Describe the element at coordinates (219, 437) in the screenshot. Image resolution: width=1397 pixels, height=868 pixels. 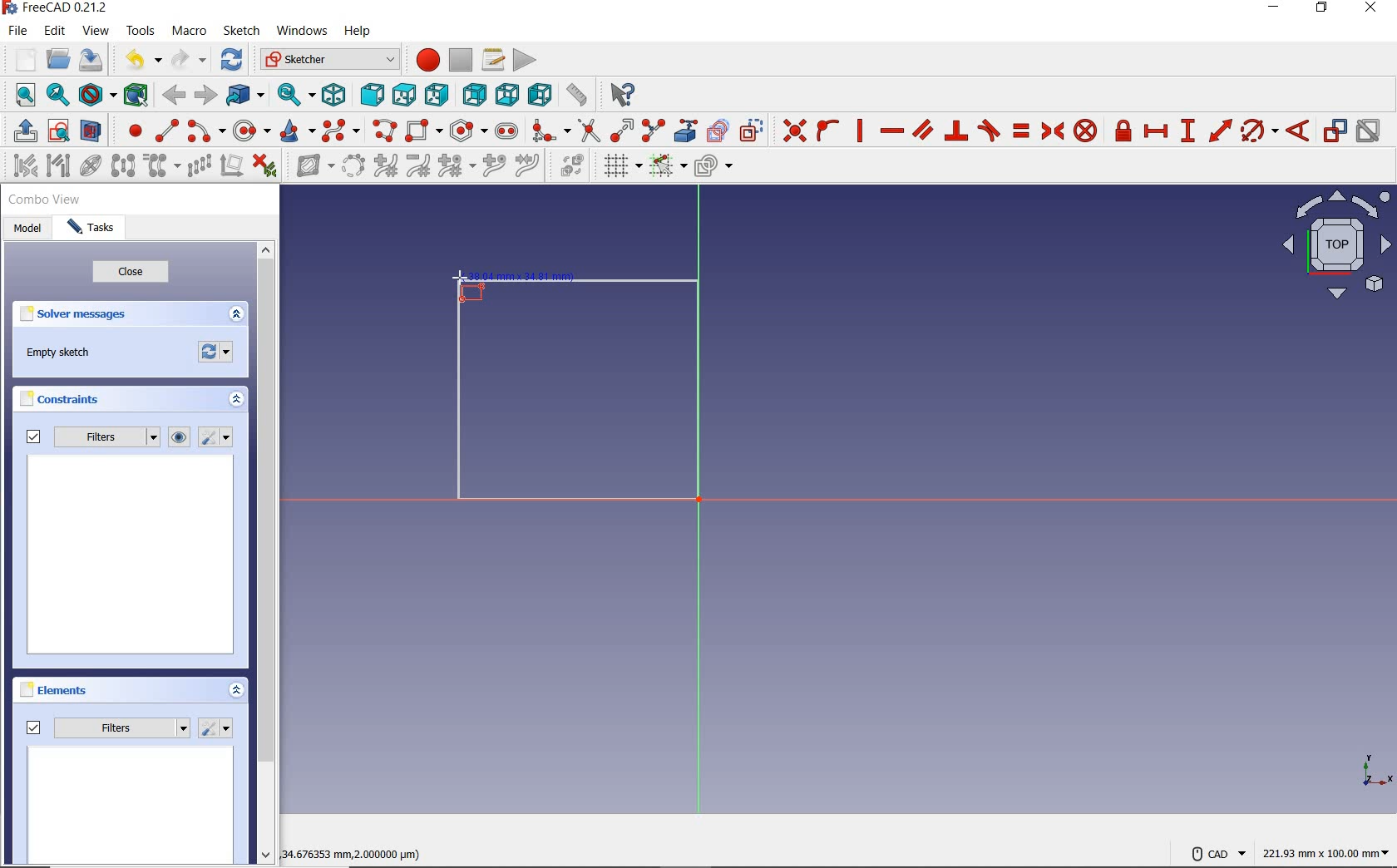
I see `settings` at that location.